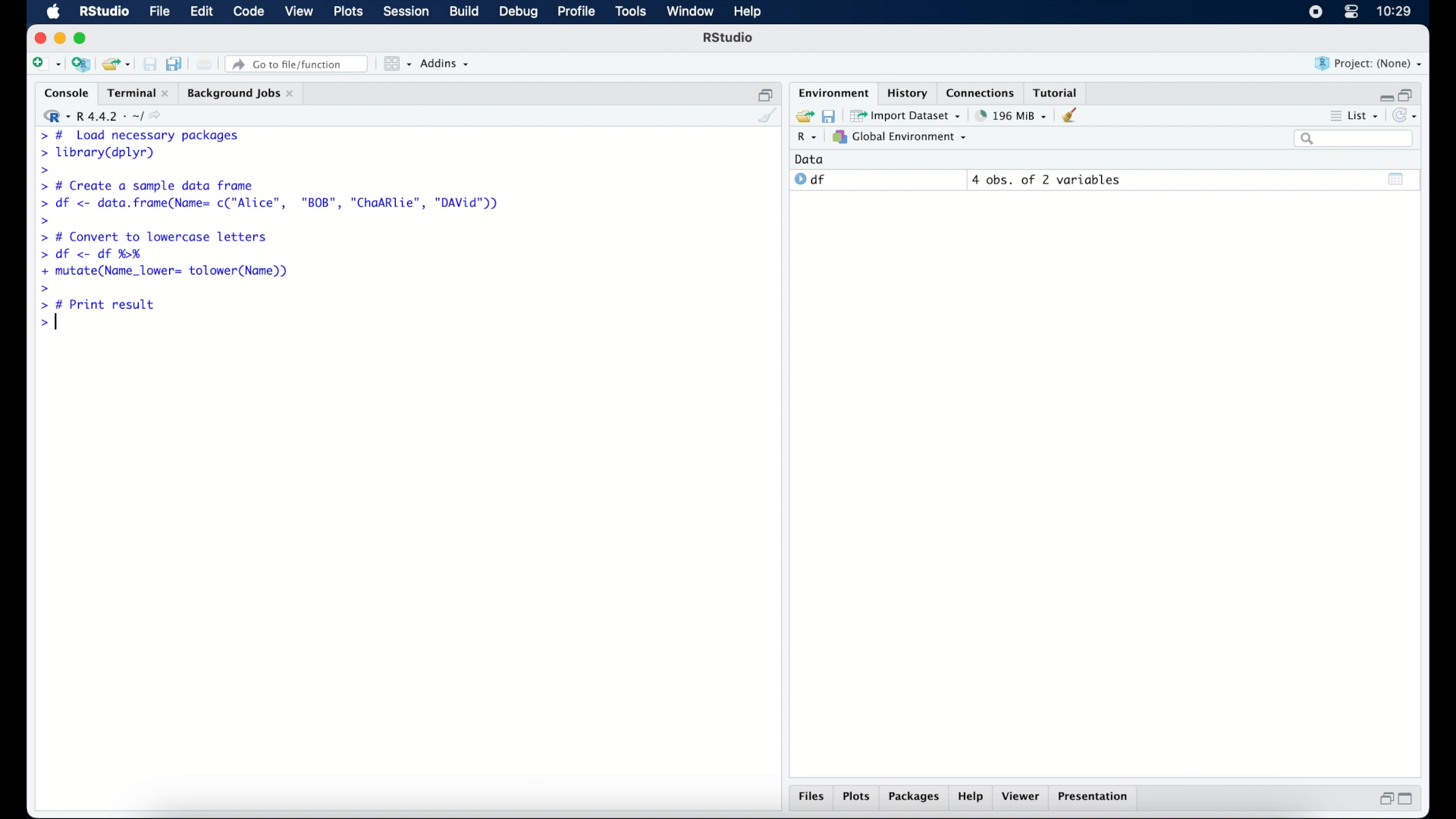  Describe the element at coordinates (60, 38) in the screenshot. I see `minimize` at that location.